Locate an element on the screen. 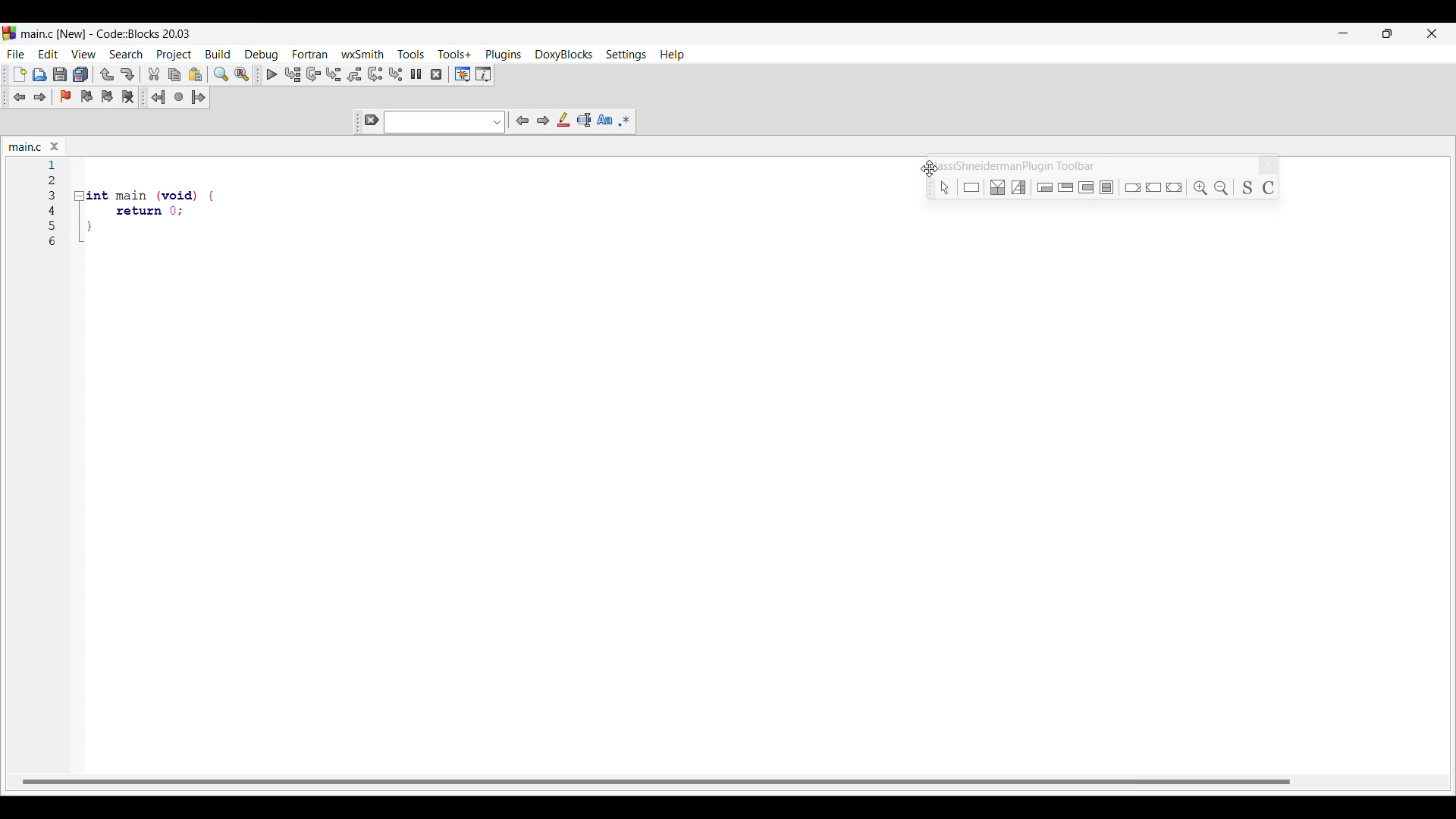 This screenshot has width=1456, height=819. Settings menu is located at coordinates (626, 55).